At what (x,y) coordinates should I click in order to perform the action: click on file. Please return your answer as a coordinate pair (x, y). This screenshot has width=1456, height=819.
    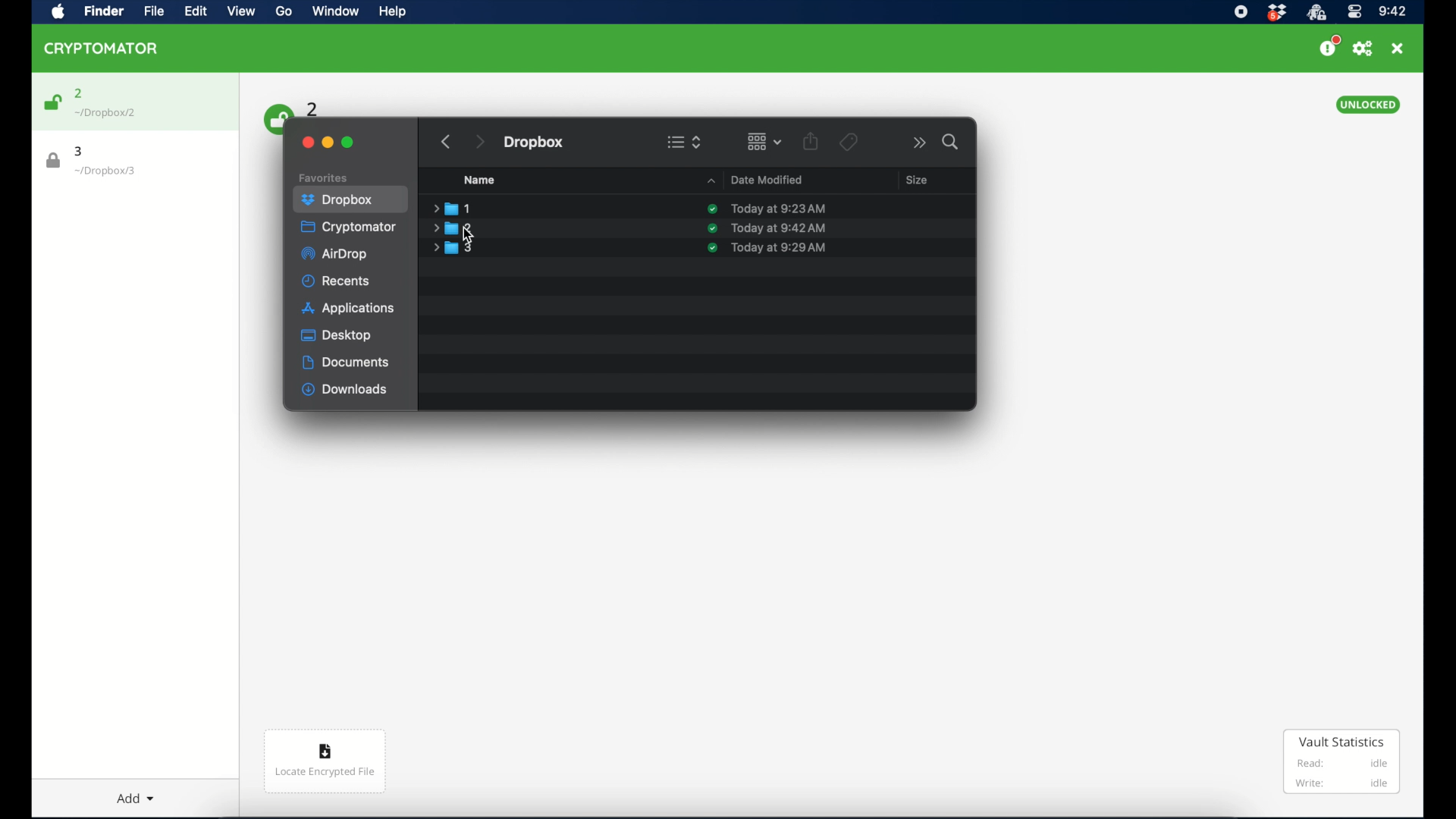
    Looking at the image, I should click on (150, 11).